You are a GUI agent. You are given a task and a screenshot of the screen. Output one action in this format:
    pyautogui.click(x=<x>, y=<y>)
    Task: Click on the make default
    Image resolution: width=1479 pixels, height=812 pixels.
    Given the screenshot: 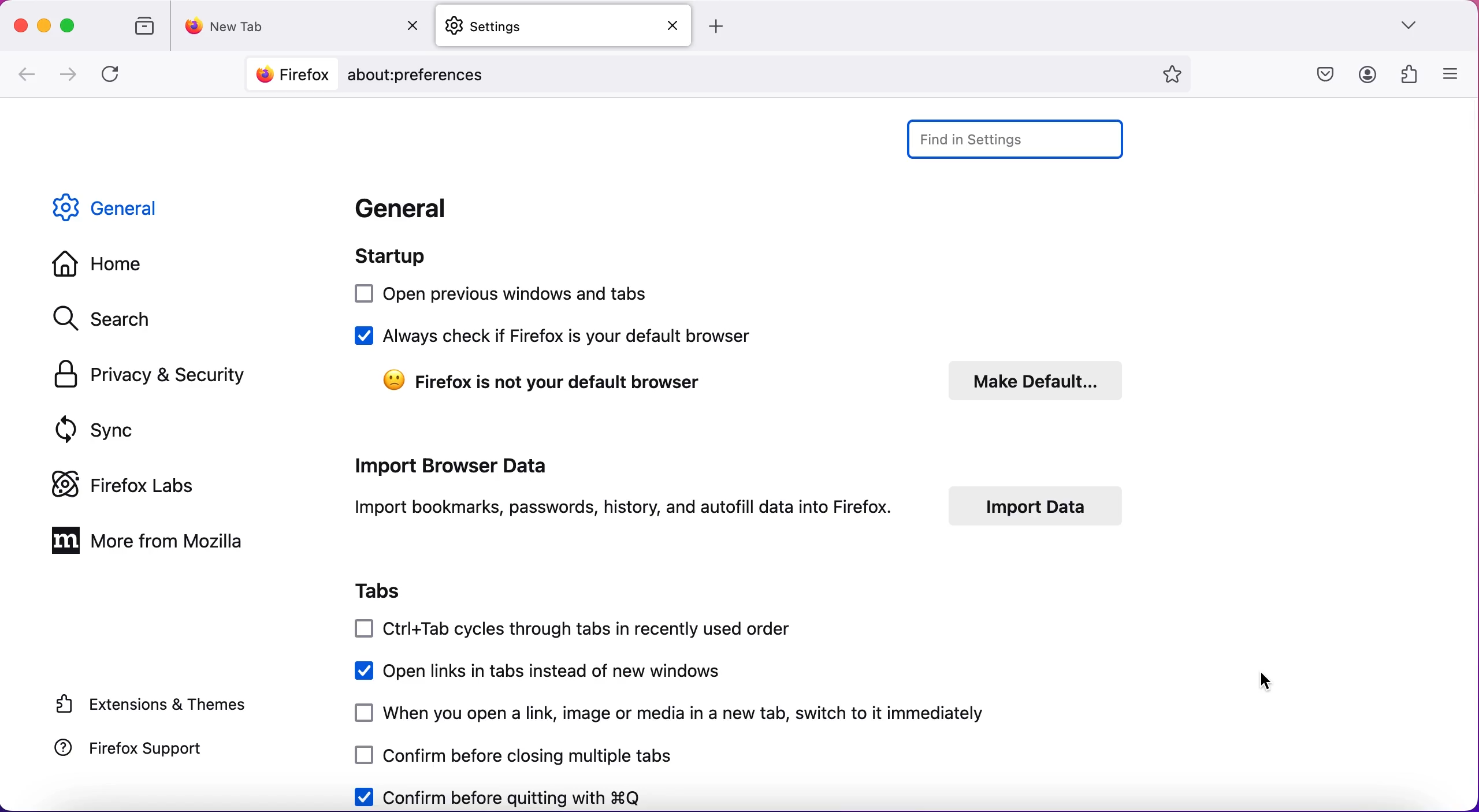 What is the action you would take?
    pyautogui.click(x=1052, y=382)
    